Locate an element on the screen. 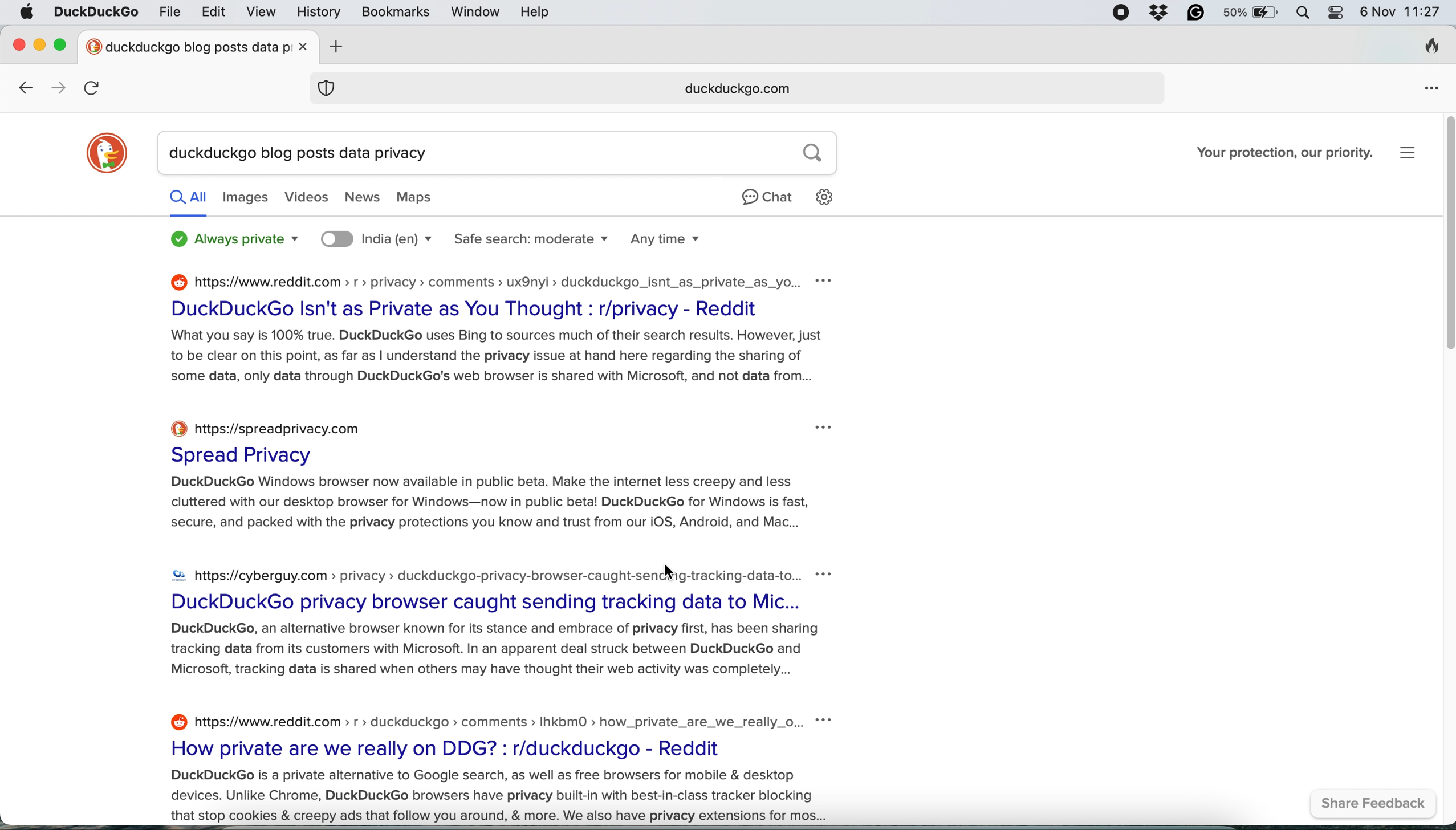  minimise is located at coordinates (41, 47).